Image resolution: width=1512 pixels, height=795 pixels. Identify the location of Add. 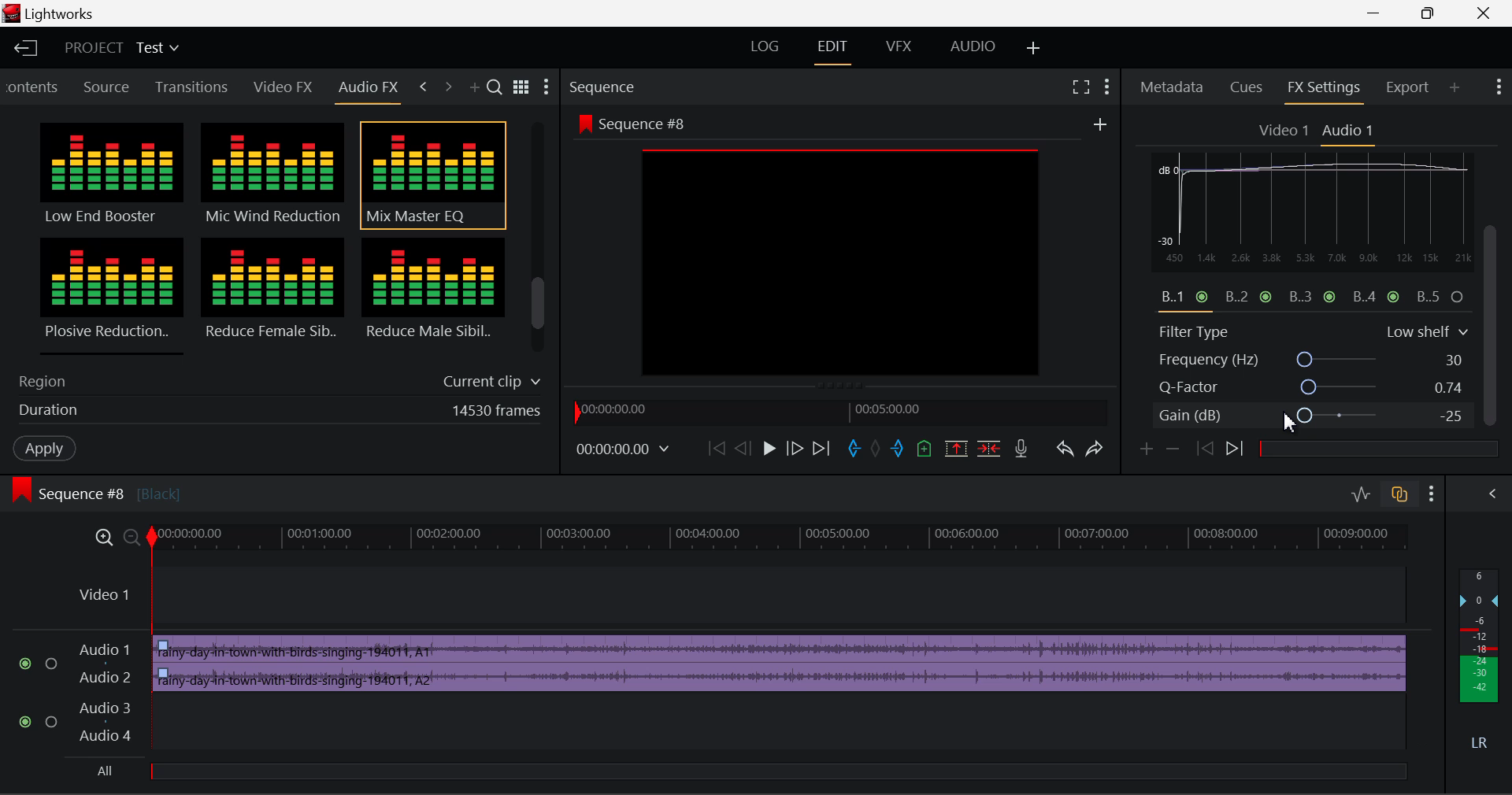
(1100, 125).